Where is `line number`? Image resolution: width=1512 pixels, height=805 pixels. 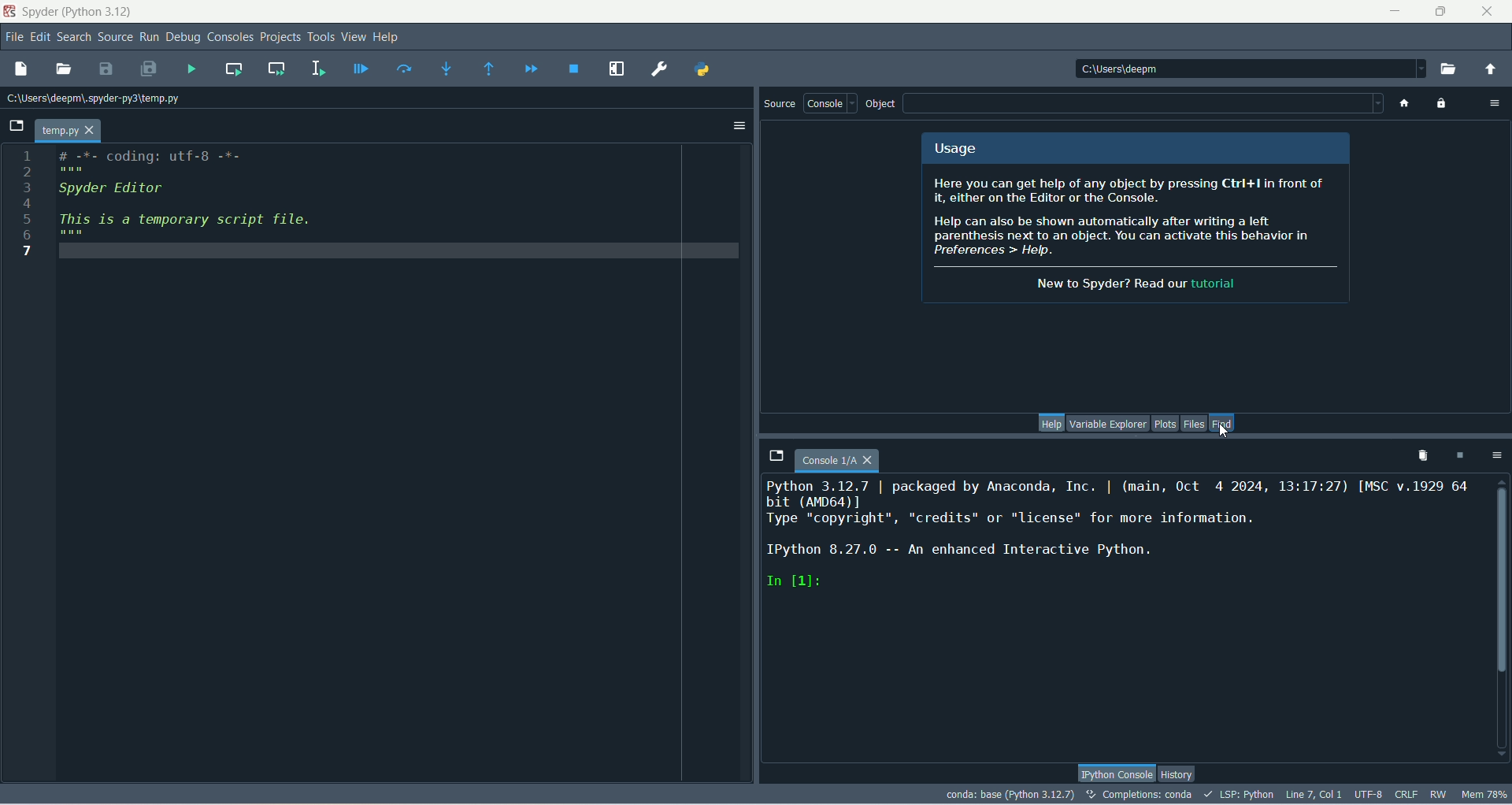 line number is located at coordinates (27, 202).